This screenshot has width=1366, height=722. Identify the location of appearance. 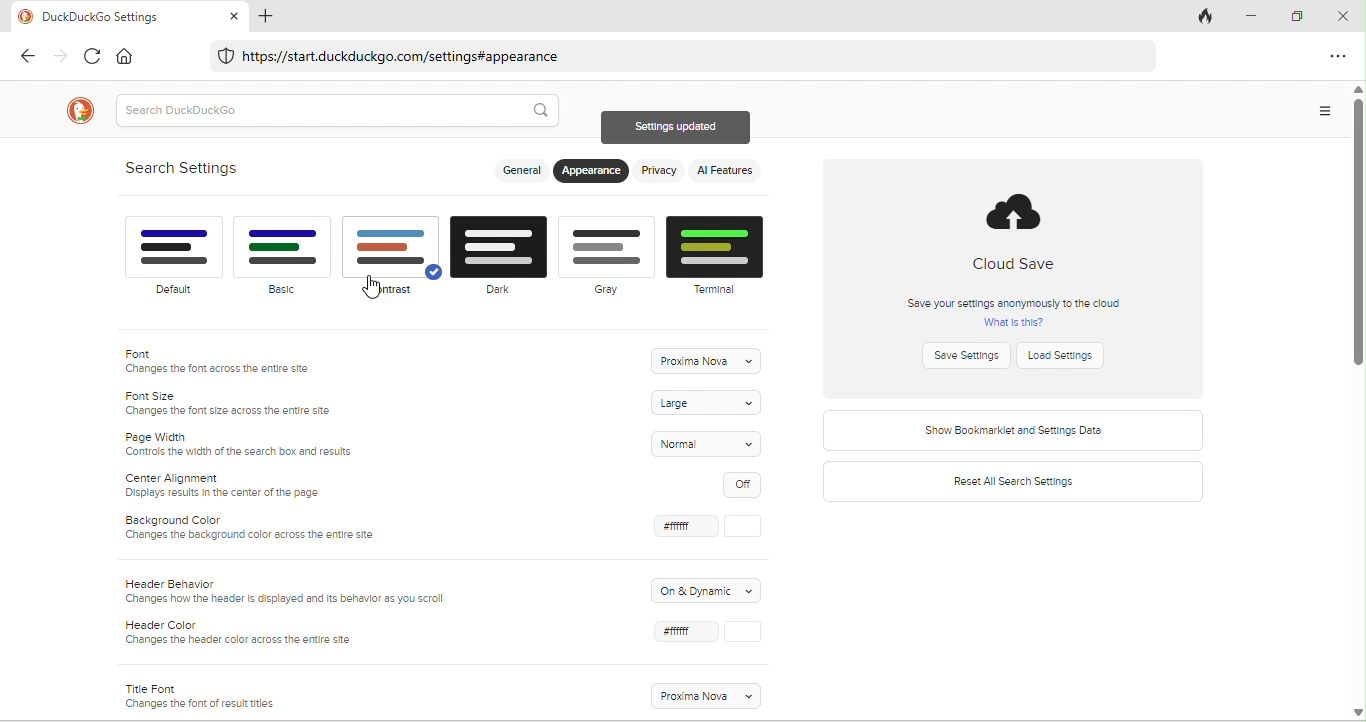
(593, 172).